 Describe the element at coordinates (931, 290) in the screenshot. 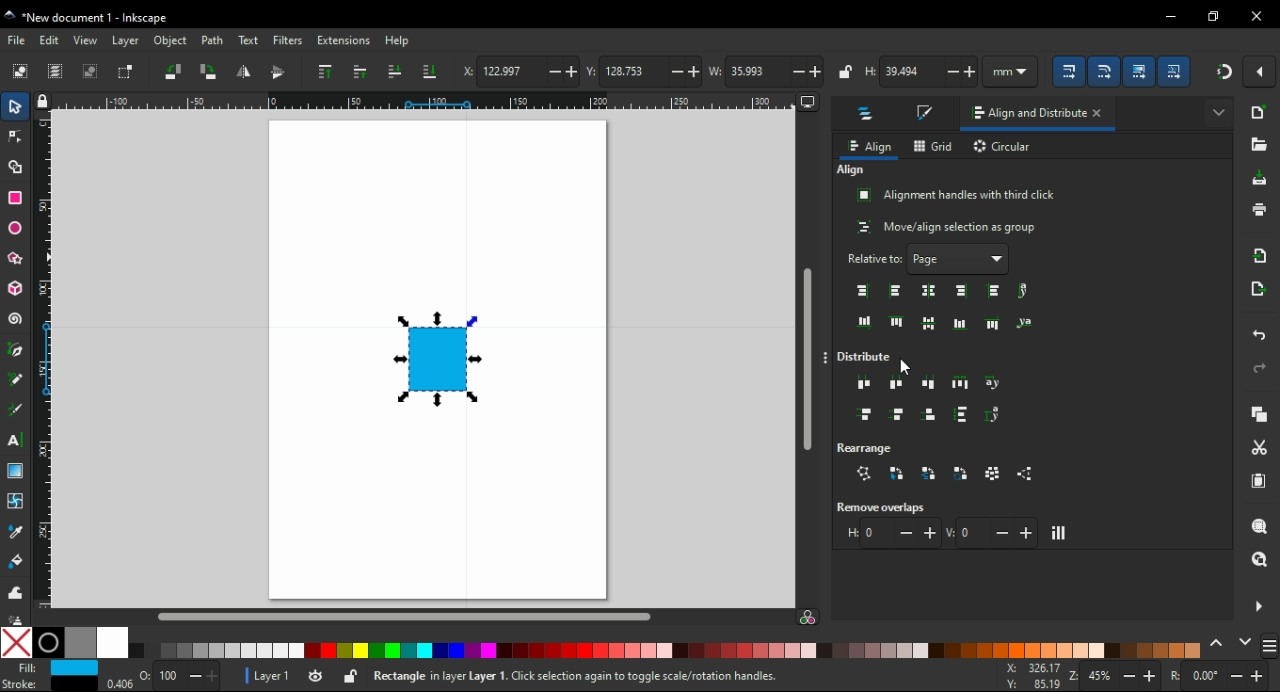

I see `center on vertical axis` at that location.